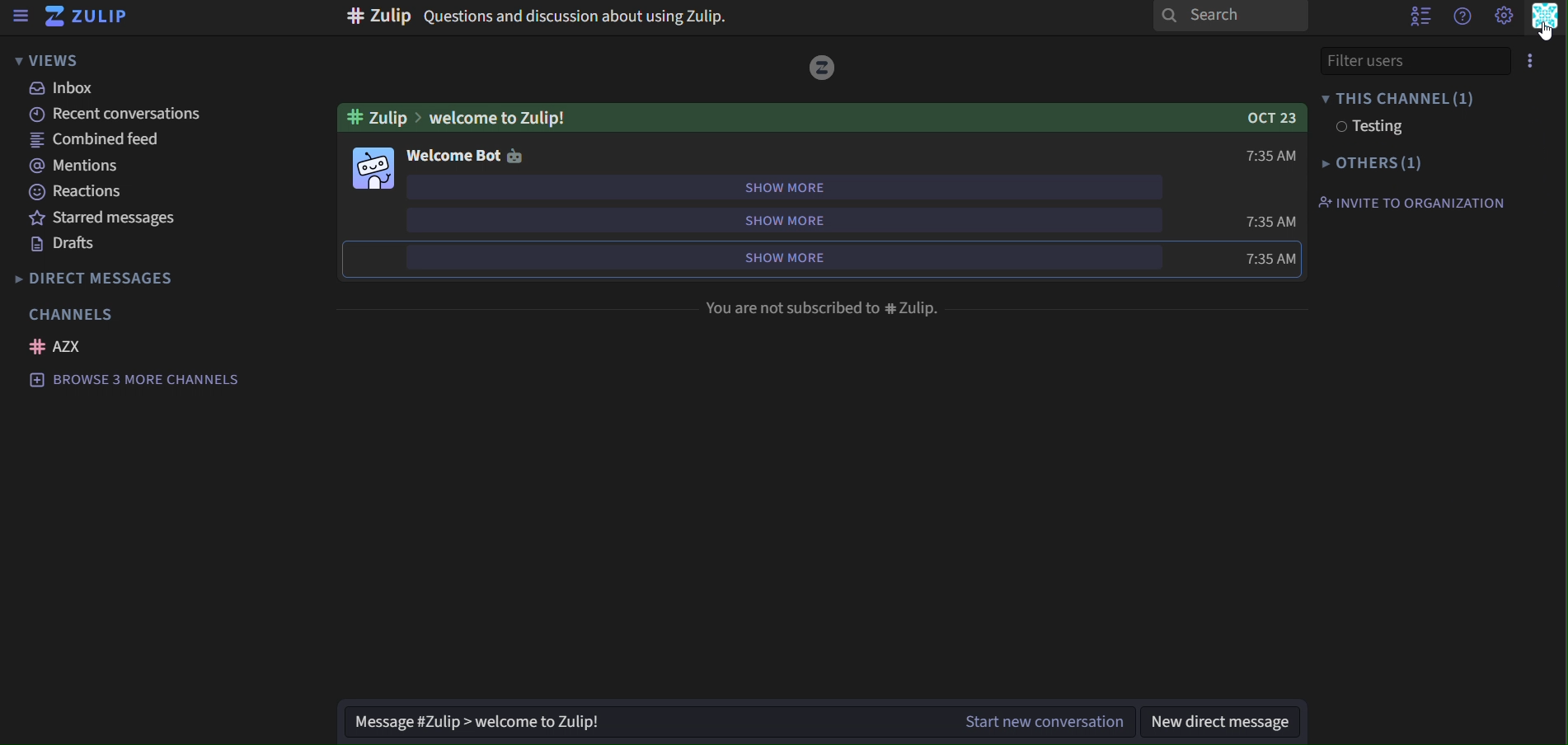 The width and height of the screenshot is (1568, 745). I want to click on new direct message, so click(1228, 721).